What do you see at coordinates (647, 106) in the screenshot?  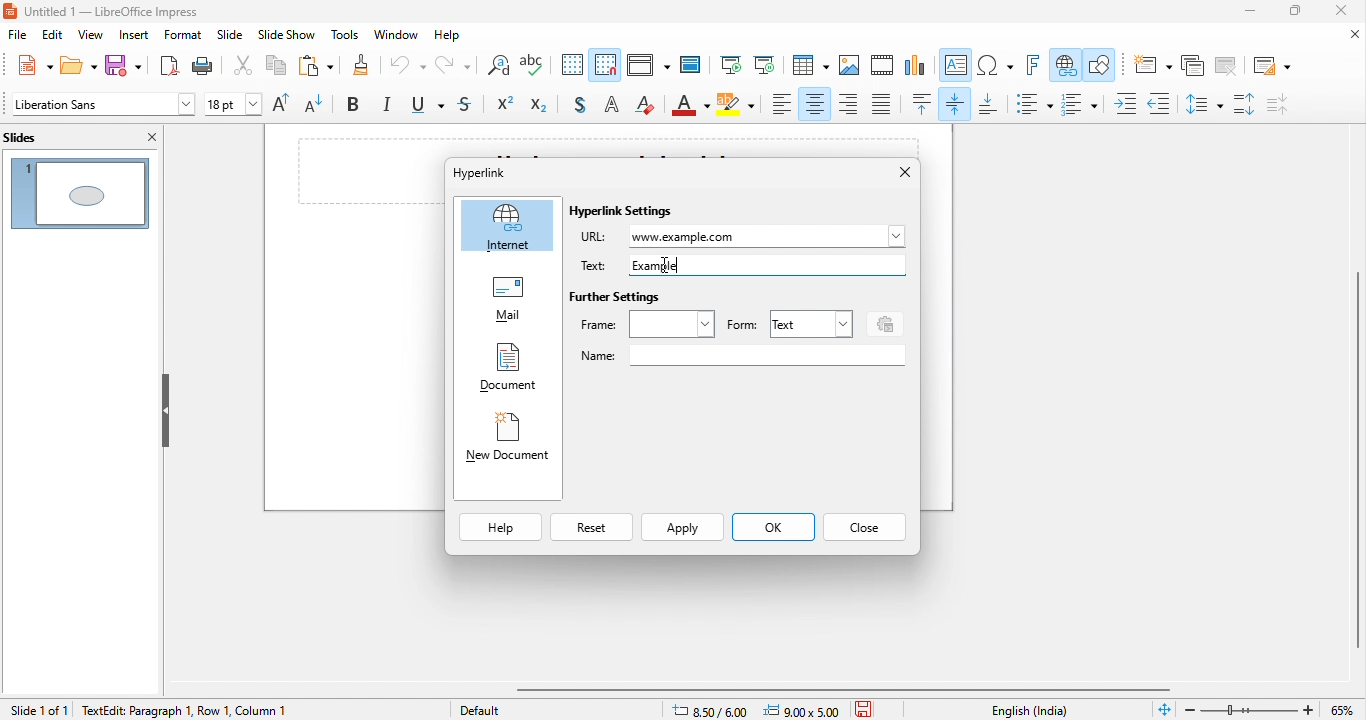 I see `clear direct formatting` at bounding box center [647, 106].